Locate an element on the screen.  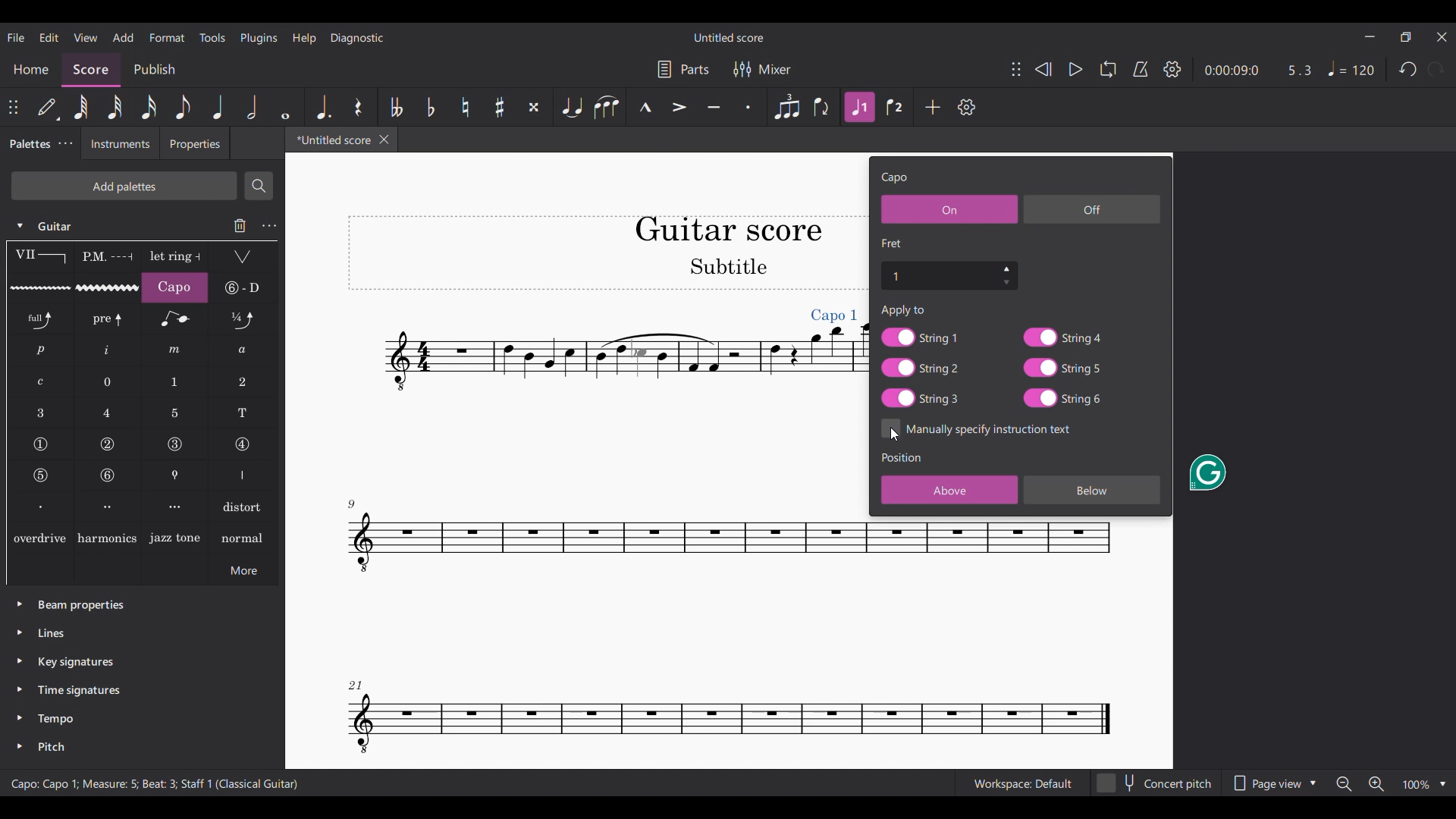
Standard bend is located at coordinates (41, 319).